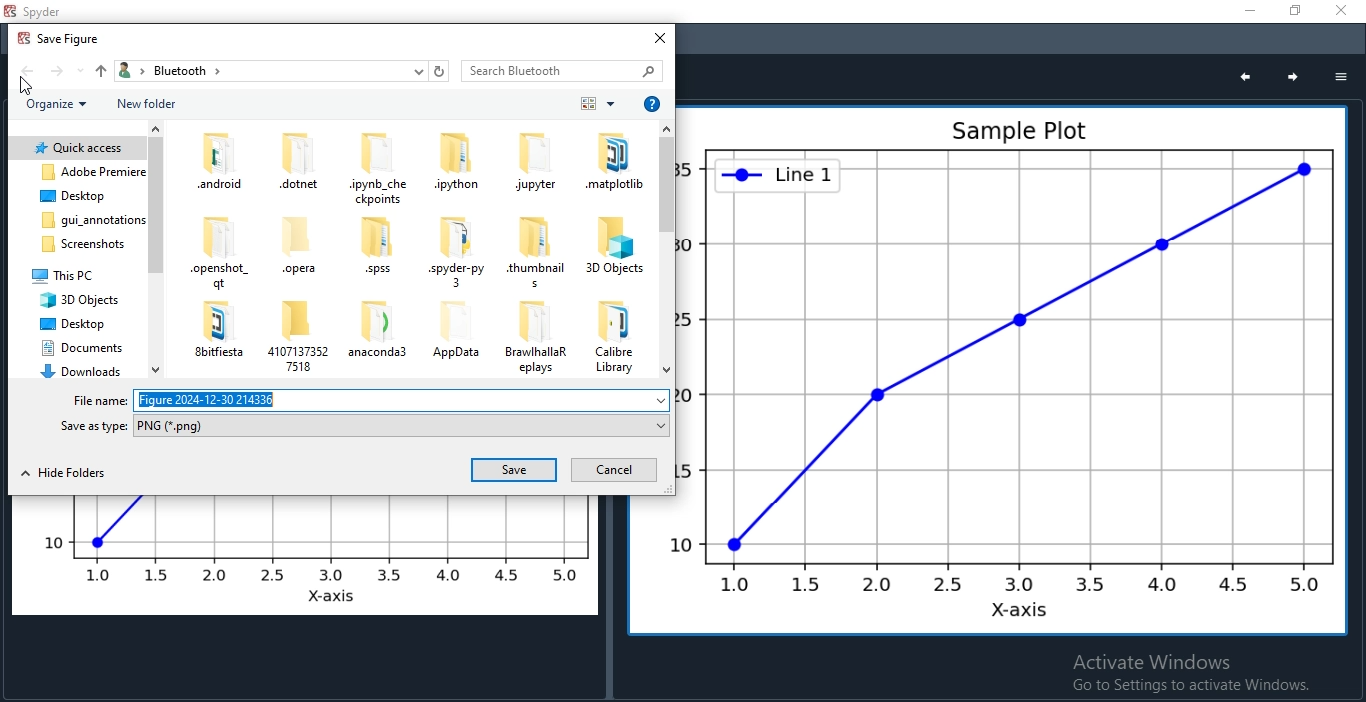 This screenshot has height=702, width=1366. Describe the element at coordinates (1294, 76) in the screenshot. I see `next plot` at that location.